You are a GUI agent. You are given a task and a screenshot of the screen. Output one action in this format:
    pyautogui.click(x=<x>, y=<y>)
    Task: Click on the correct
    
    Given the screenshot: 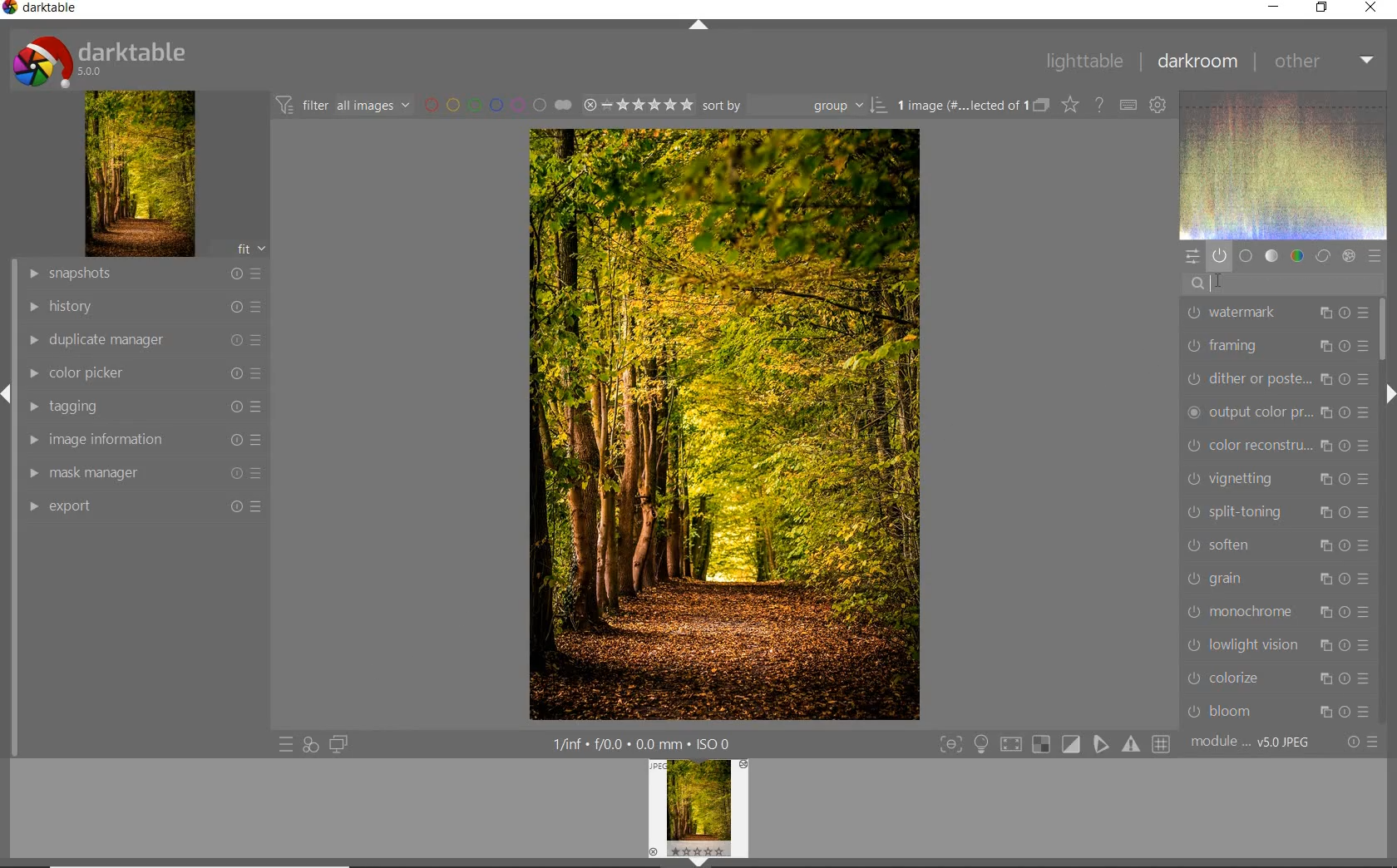 What is the action you would take?
    pyautogui.click(x=1322, y=257)
    